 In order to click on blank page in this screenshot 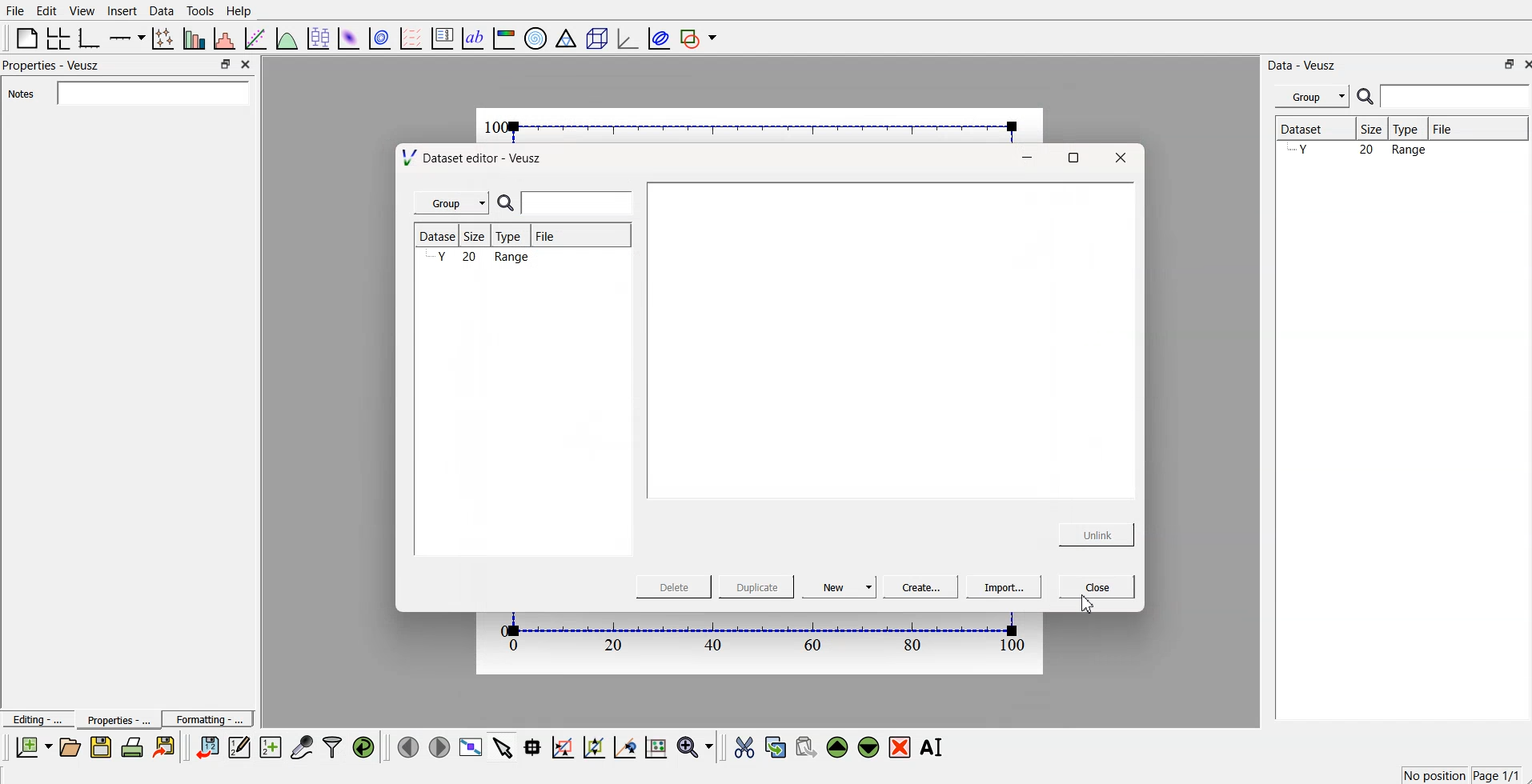, I will do `click(26, 38)`.